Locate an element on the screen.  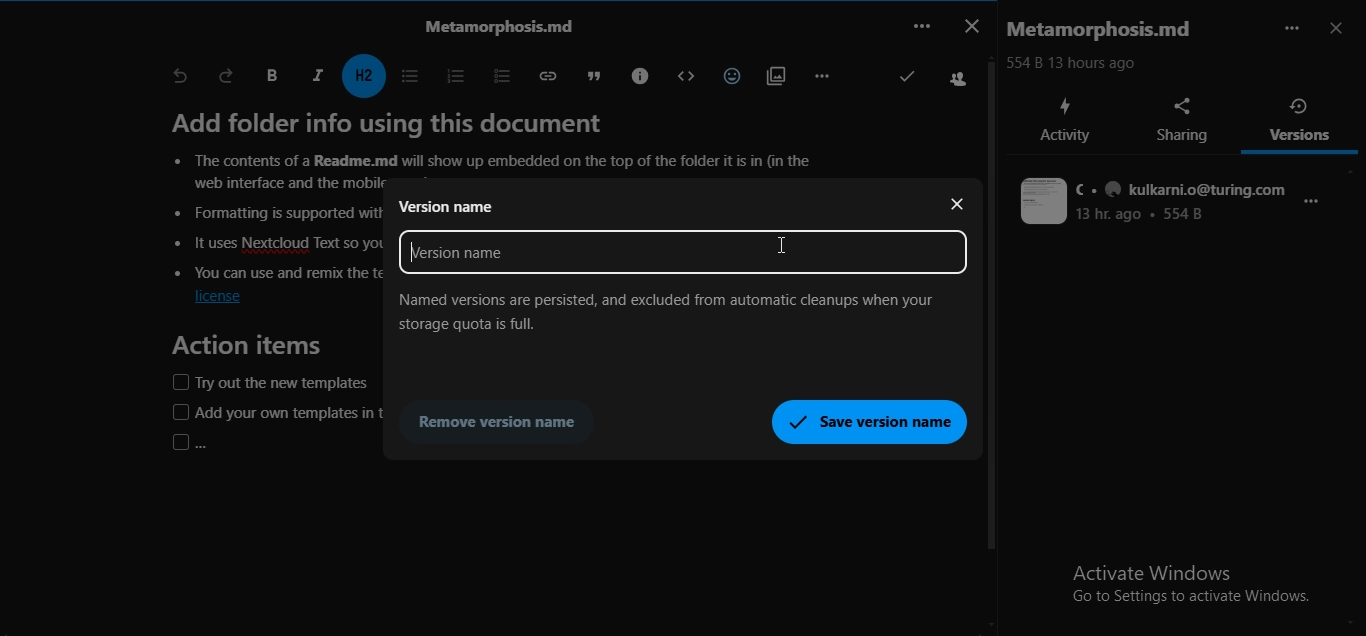
Action items is located at coordinates (244, 346).